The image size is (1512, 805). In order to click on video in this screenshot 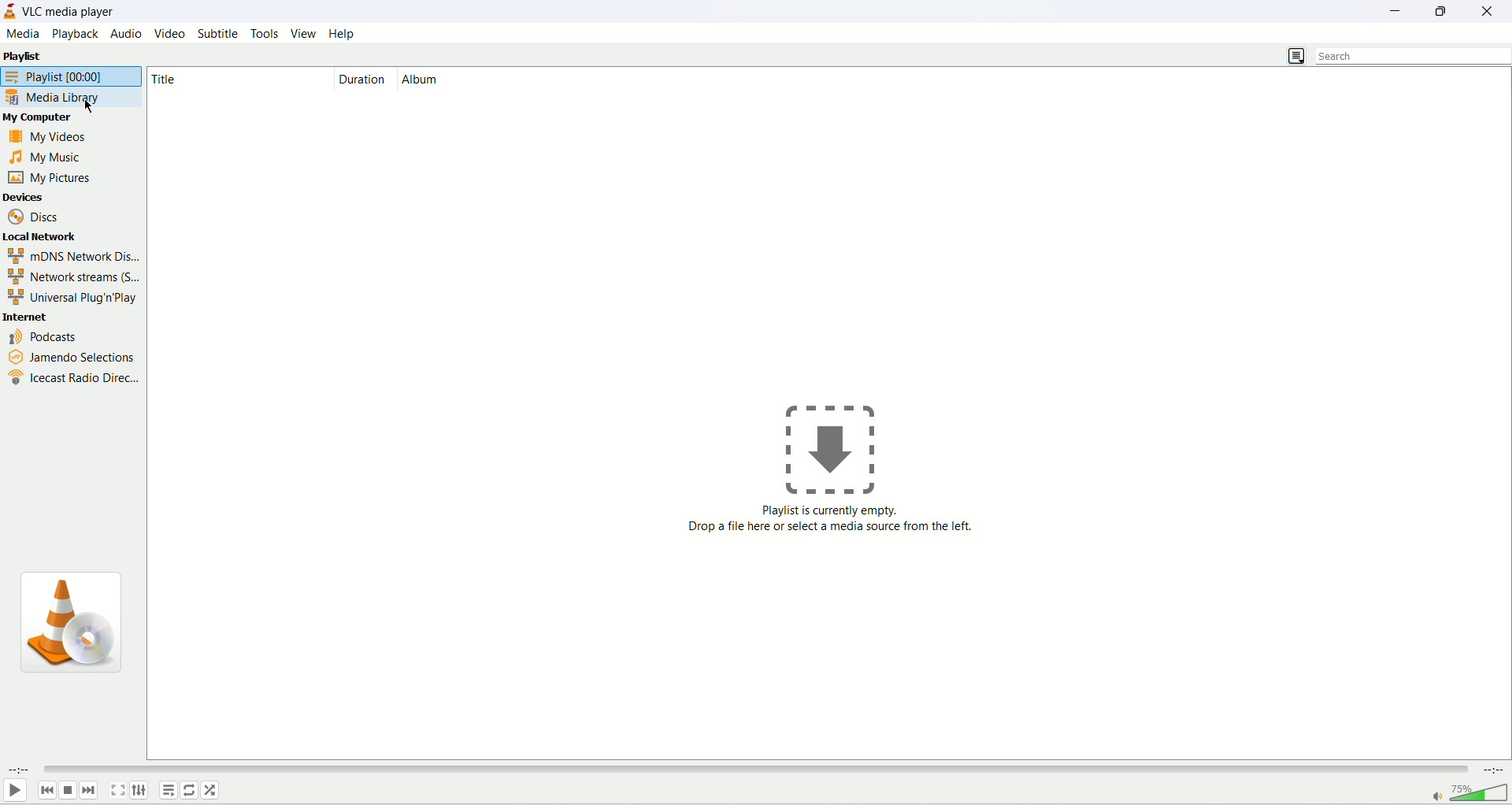, I will do `click(168, 33)`.